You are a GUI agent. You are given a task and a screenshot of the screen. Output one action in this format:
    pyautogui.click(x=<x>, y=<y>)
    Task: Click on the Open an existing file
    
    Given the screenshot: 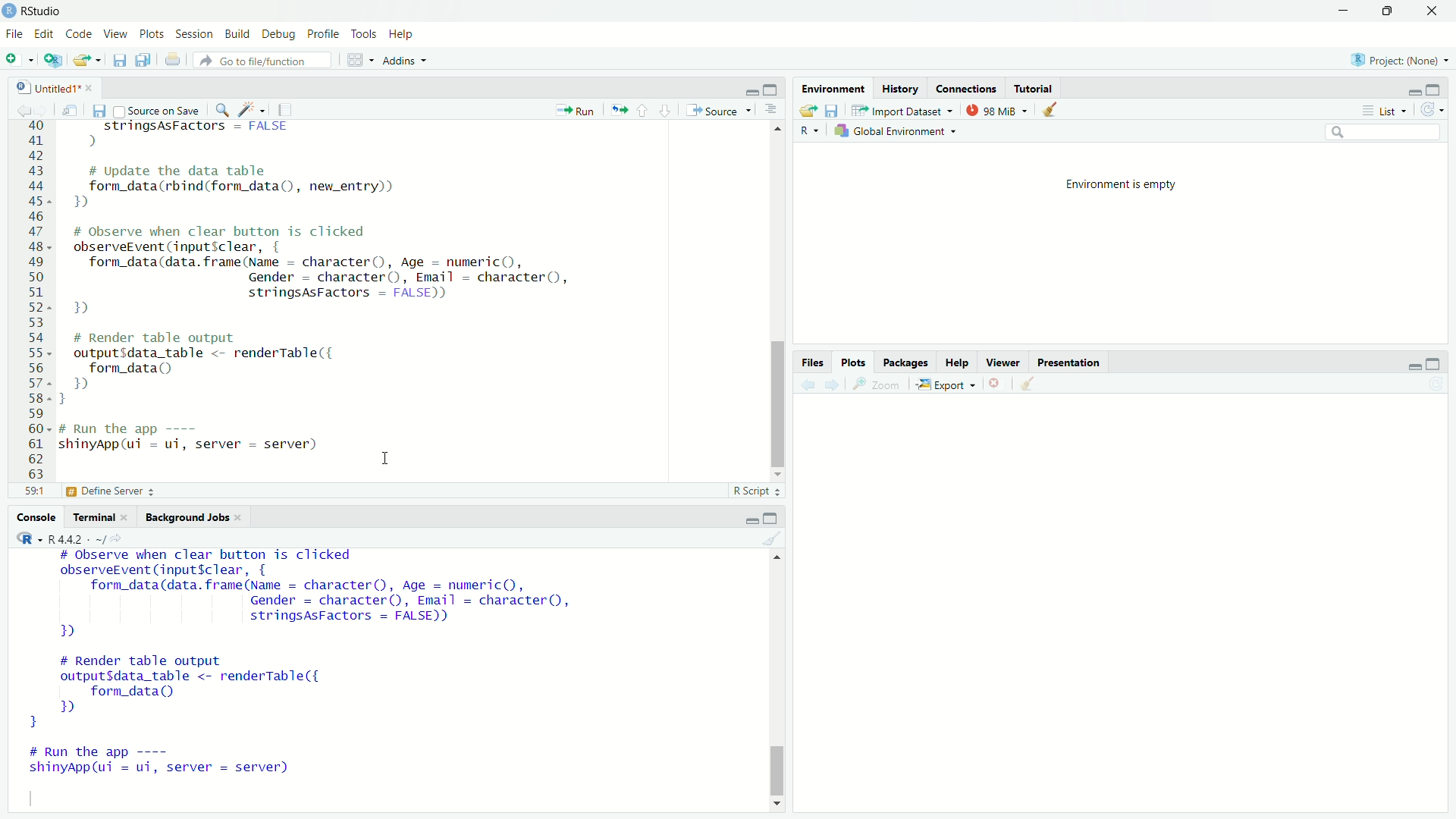 What is the action you would take?
    pyautogui.click(x=88, y=61)
    